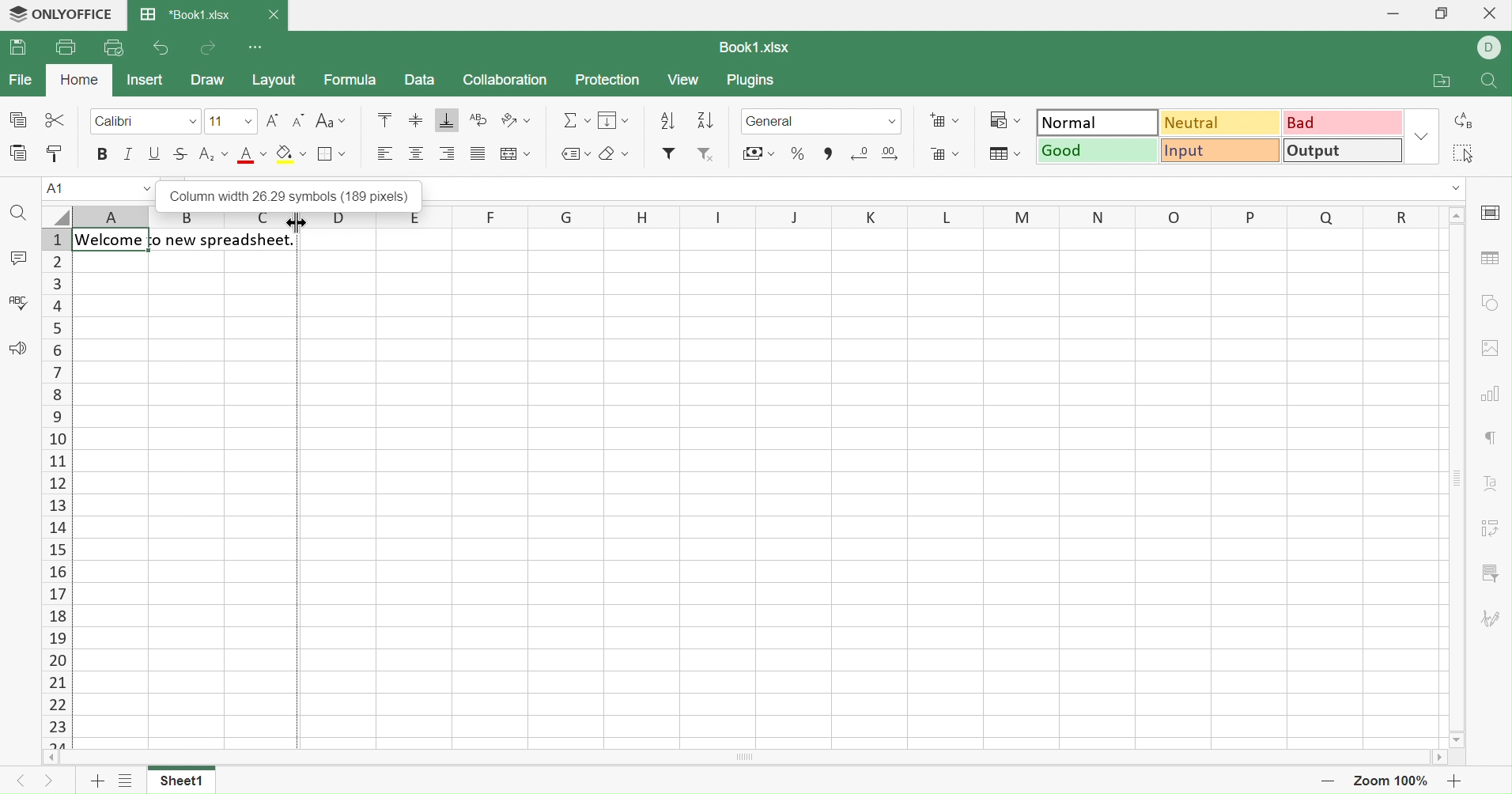  I want to click on Open file location, so click(1441, 81).